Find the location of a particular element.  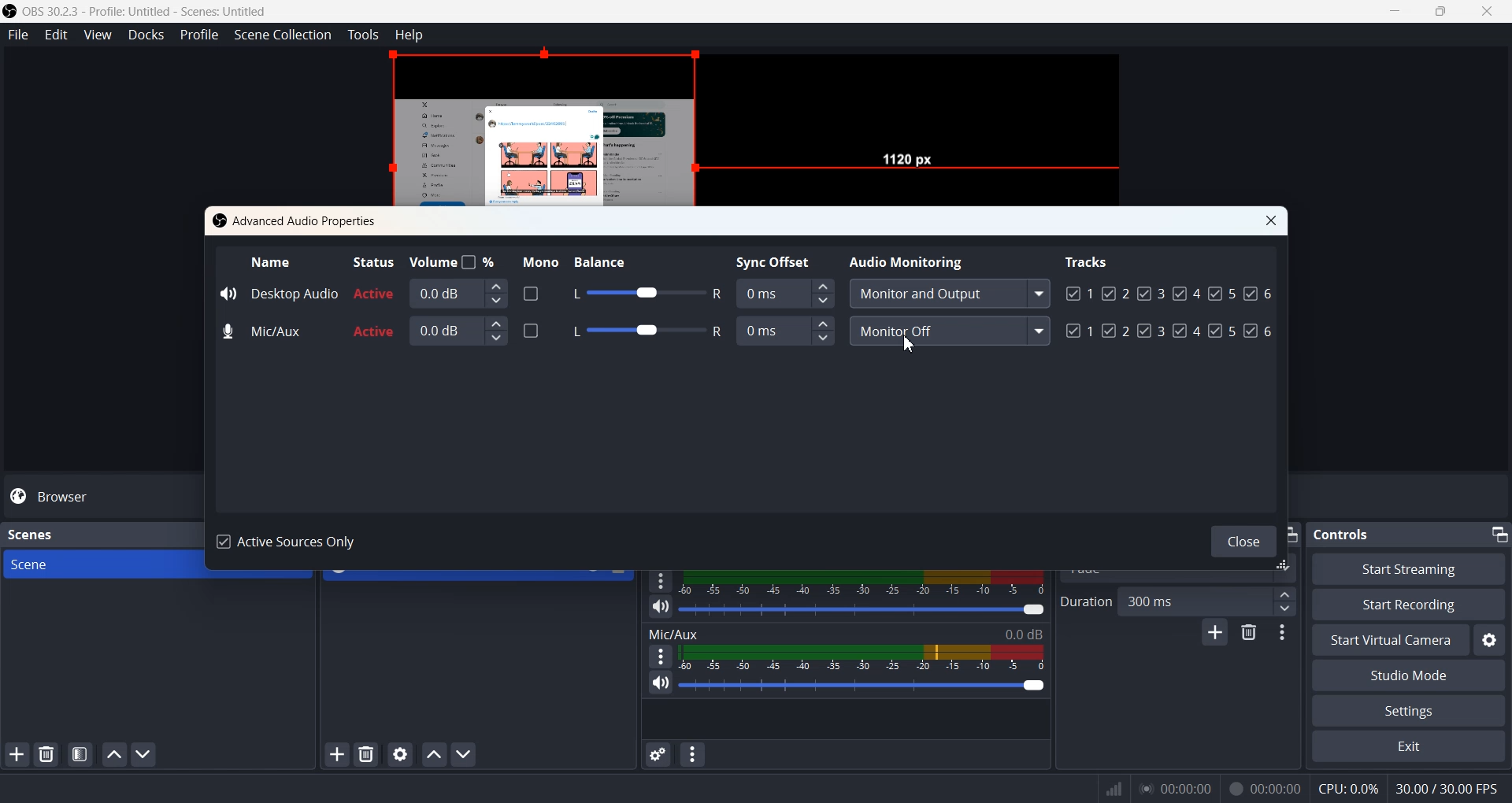

Move sources up is located at coordinates (434, 754).